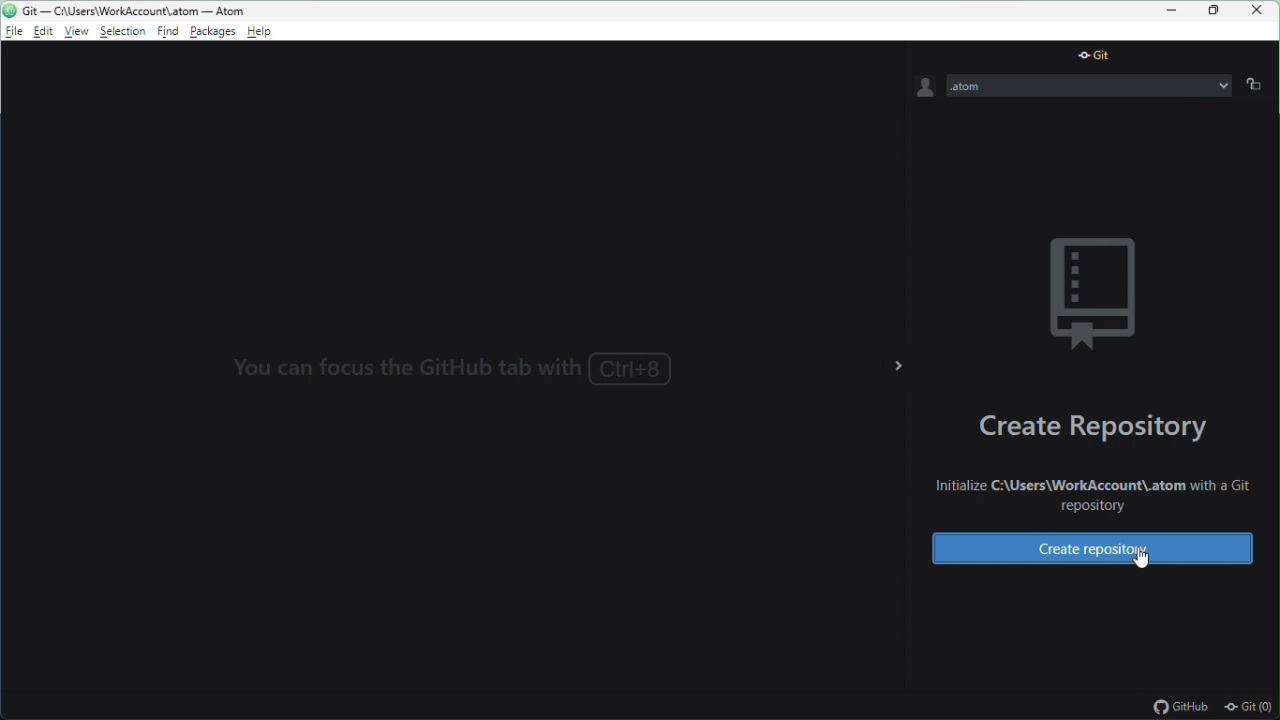 The height and width of the screenshot is (720, 1280). I want to click on find, so click(172, 33).